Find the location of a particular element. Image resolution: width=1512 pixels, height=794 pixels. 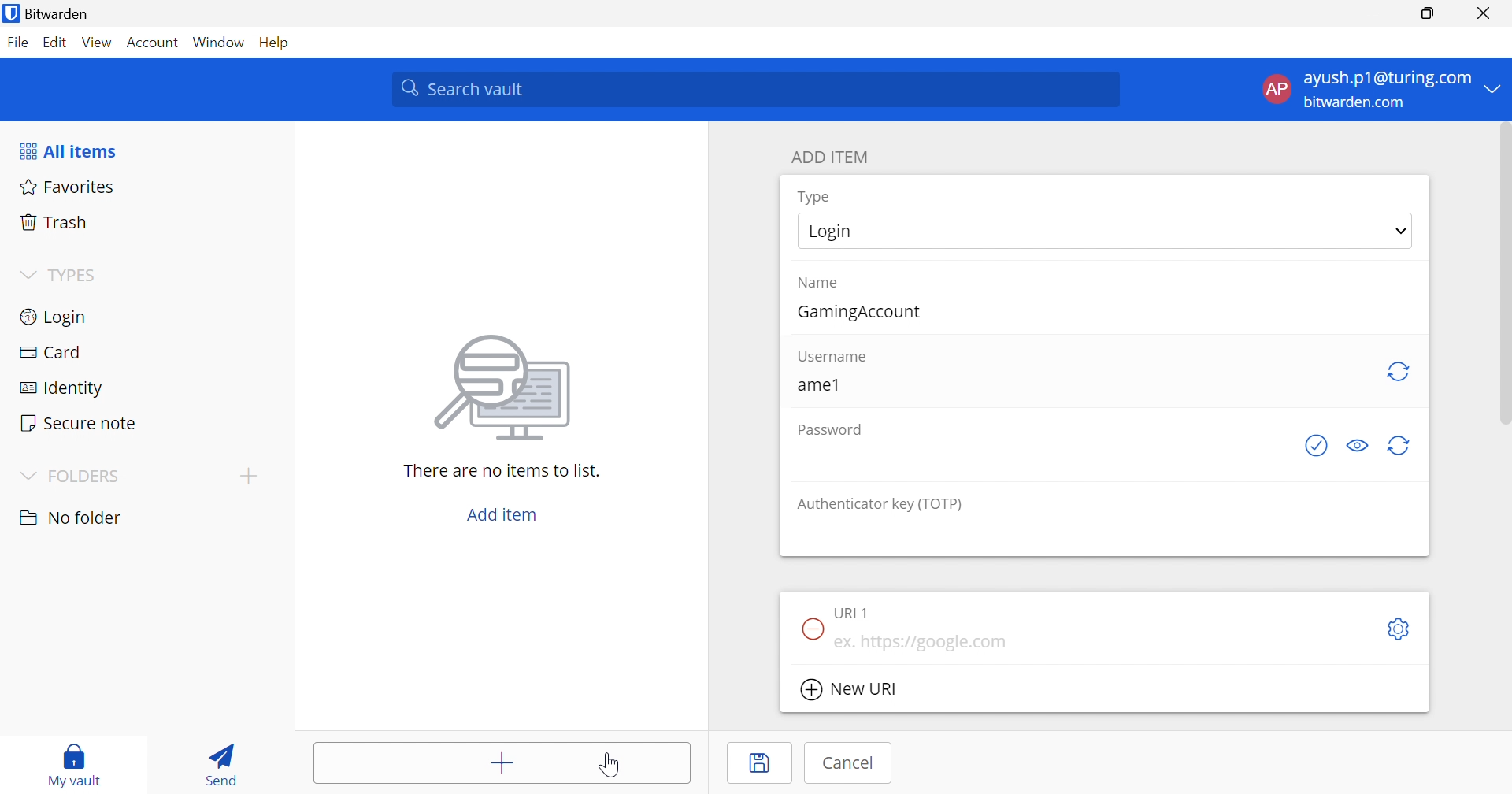

Settings is located at coordinates (1402, 629).